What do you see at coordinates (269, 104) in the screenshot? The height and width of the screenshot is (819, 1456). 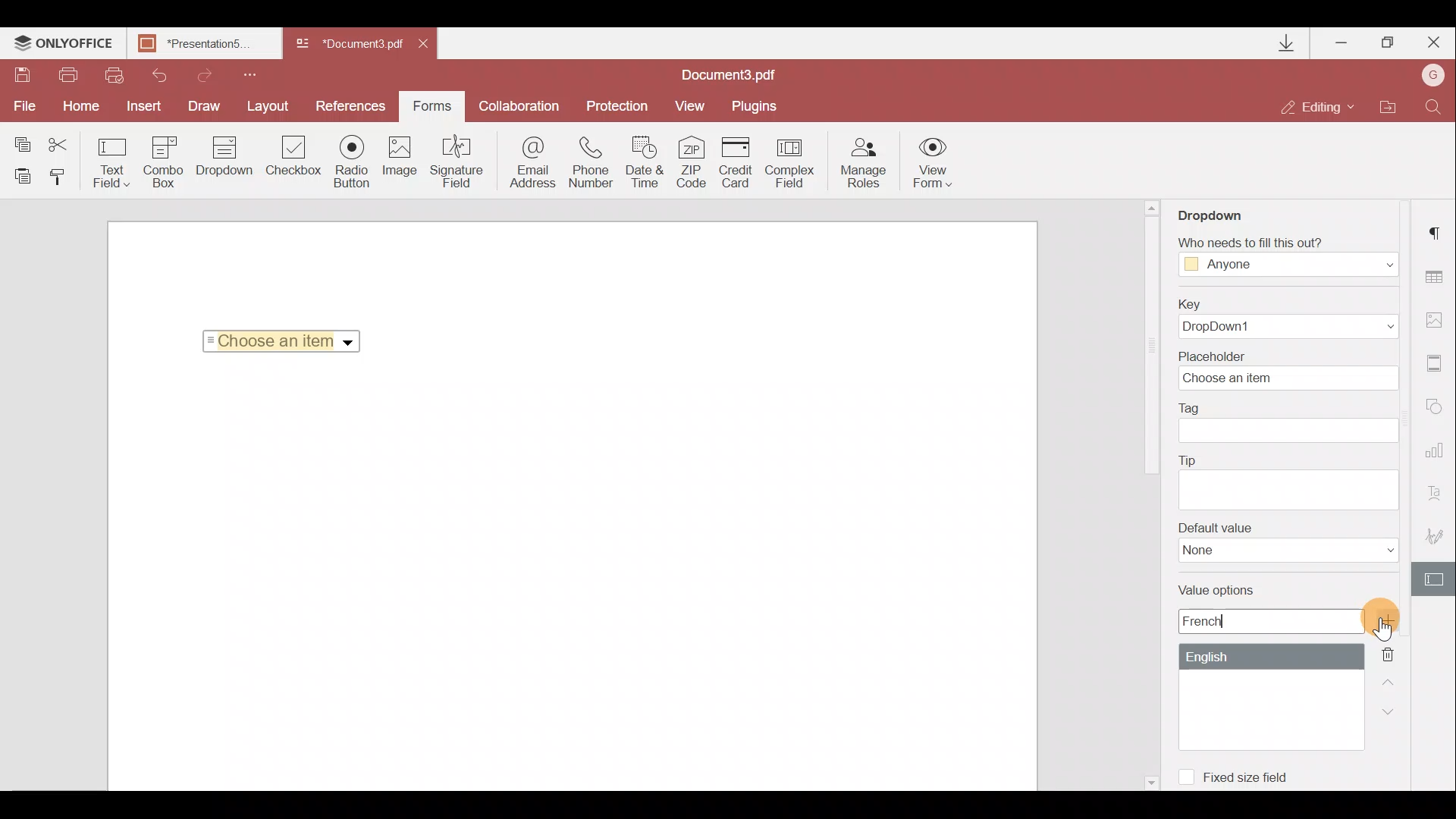 I see `Layout` at bounding box center [269, 104].